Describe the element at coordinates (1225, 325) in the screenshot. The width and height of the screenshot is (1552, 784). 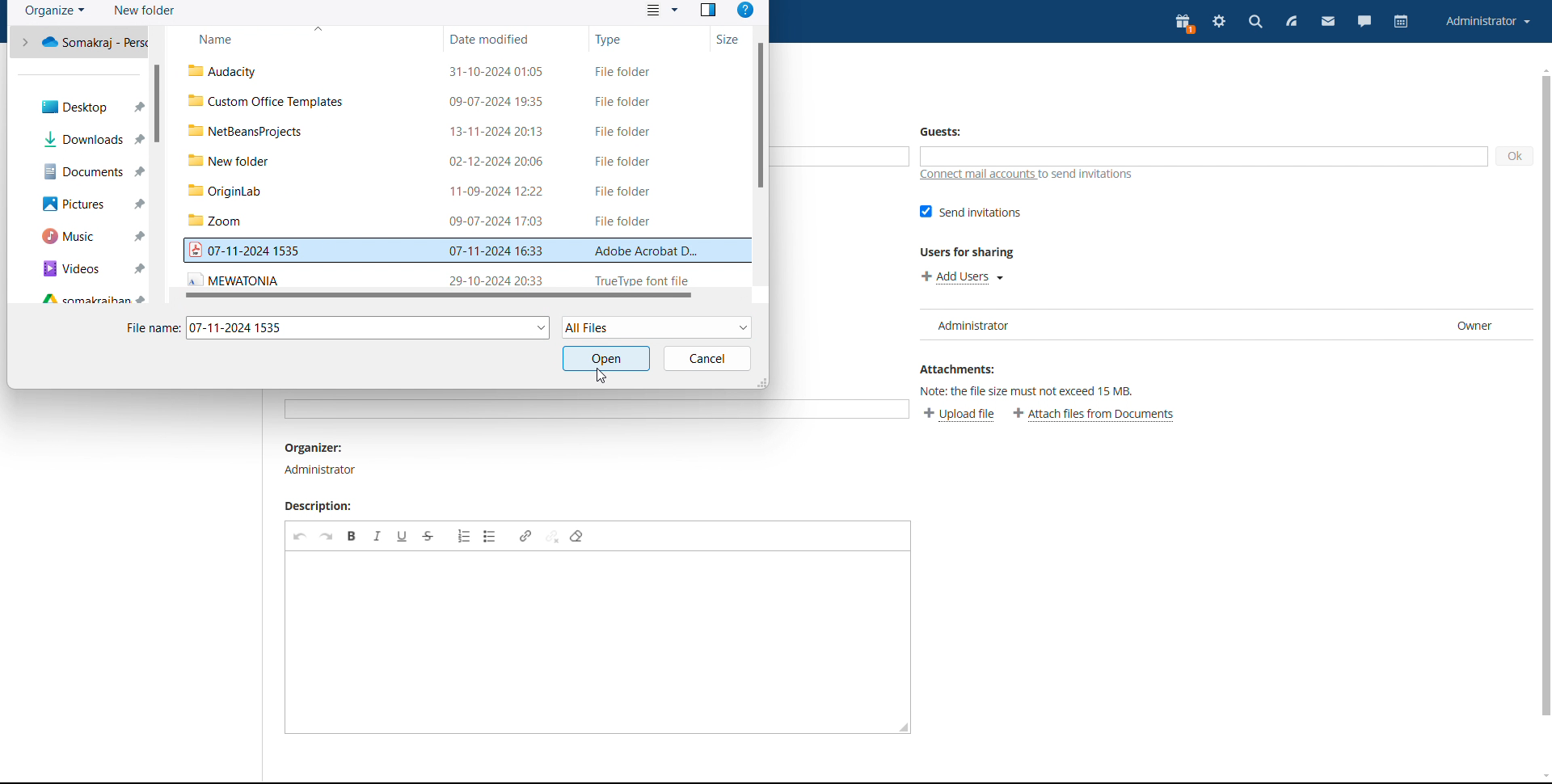
I see `user list` at that location.